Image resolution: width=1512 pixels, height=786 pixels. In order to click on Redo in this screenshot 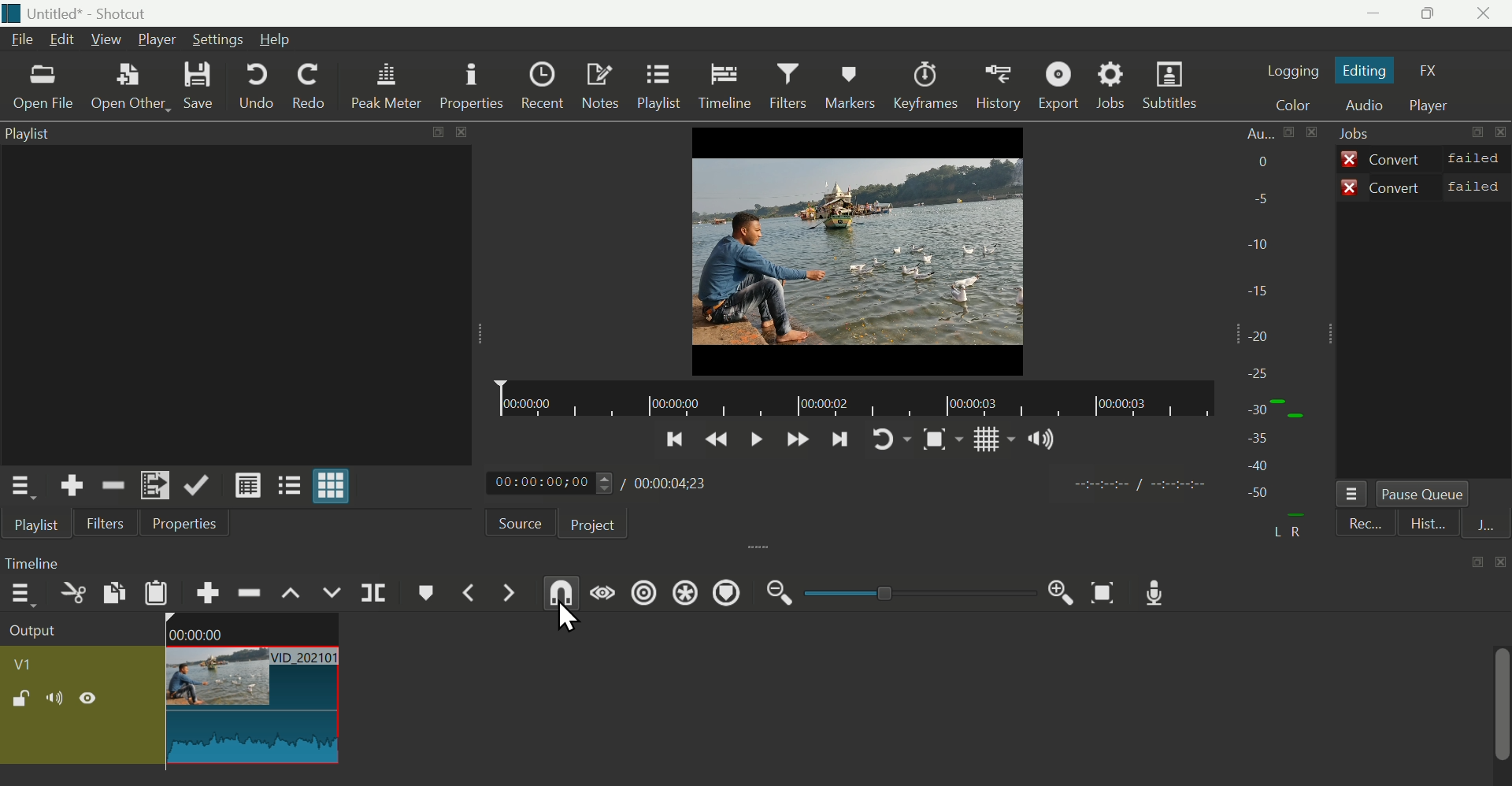, I will do `click(309, 86)`.